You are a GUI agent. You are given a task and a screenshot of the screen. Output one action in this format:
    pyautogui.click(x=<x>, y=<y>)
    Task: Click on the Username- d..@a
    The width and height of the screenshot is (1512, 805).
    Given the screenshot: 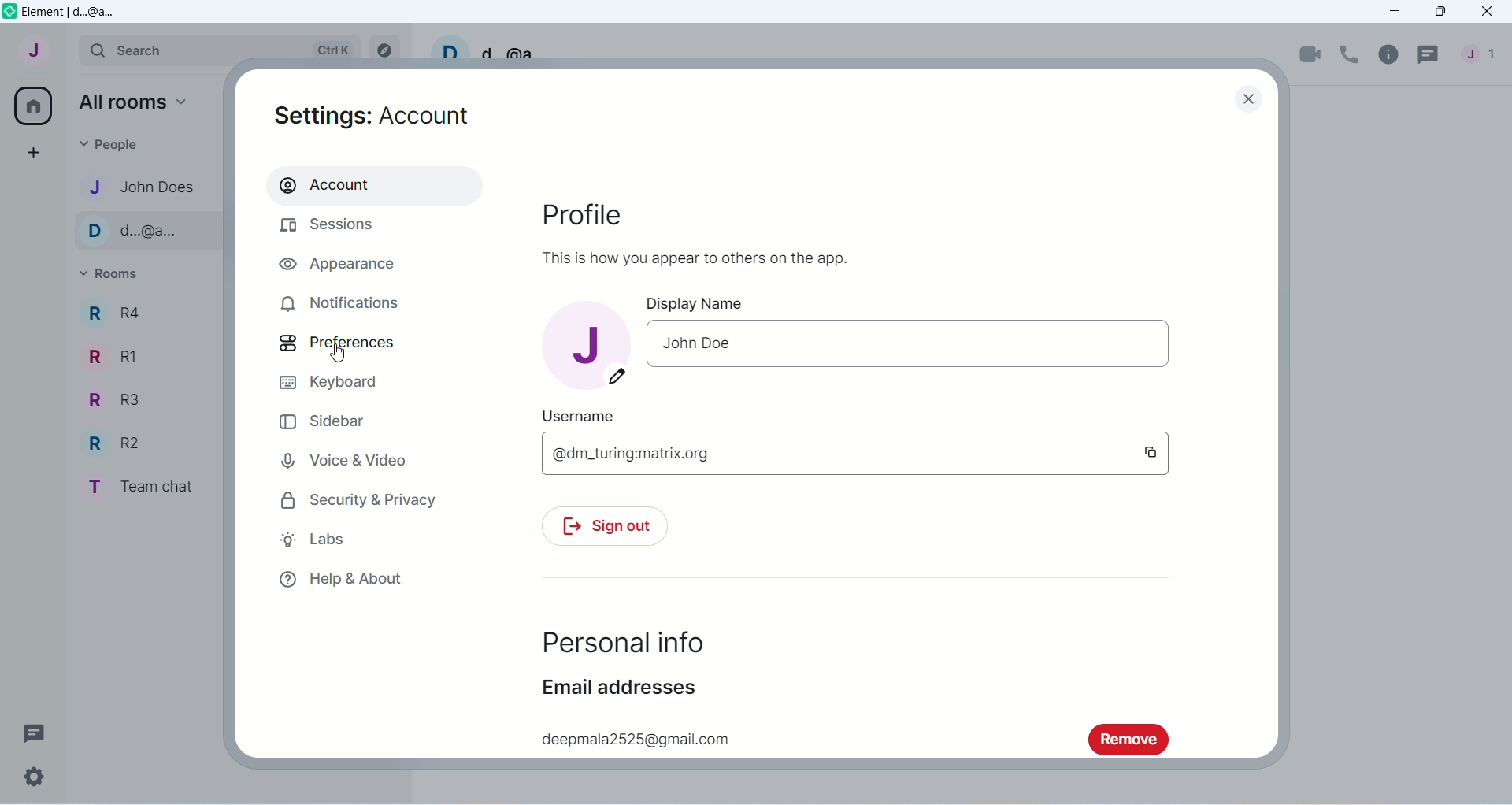 What is the action you would take?
    pyautogui.click(x=492, y=46)
    